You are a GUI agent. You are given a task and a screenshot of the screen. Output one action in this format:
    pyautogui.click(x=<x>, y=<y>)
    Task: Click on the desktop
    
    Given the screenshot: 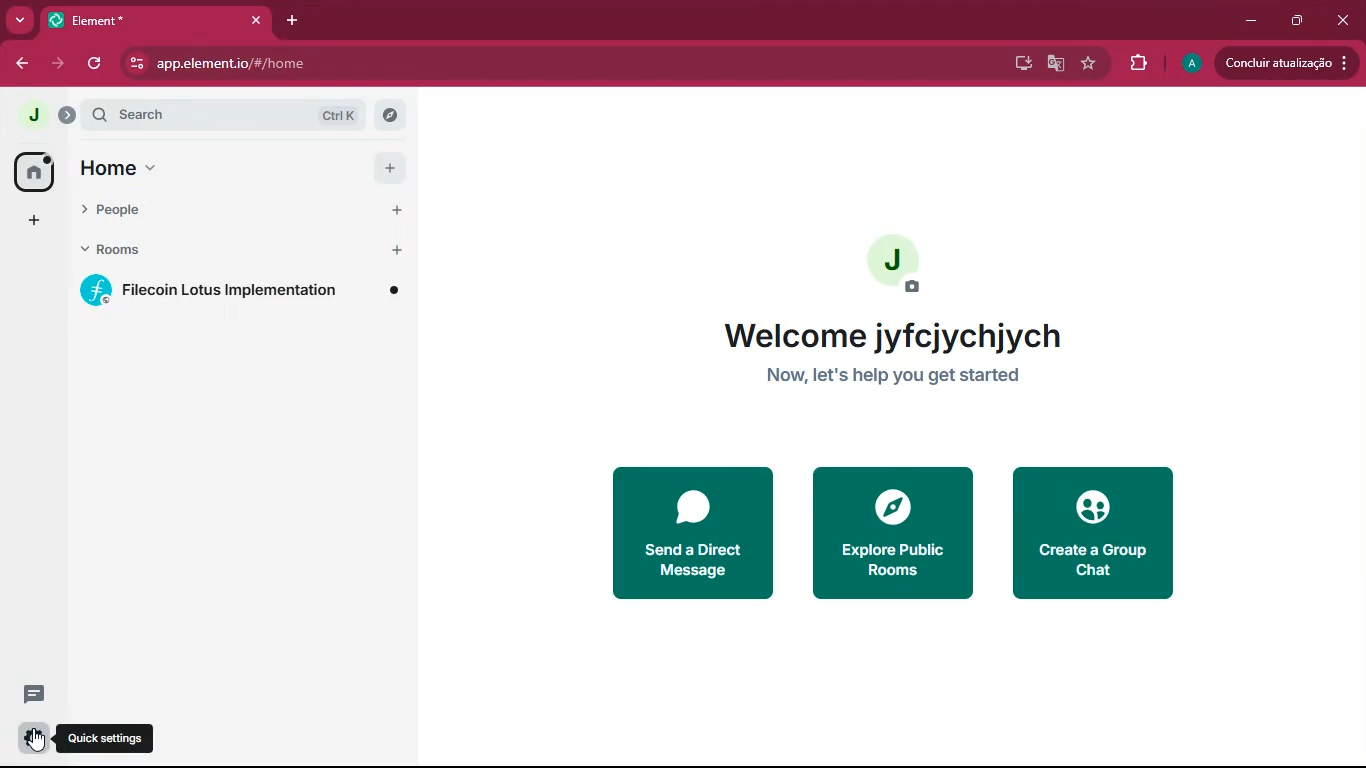 What is the action you would take?
    pyautogui.click(x=1022, y=65)
    